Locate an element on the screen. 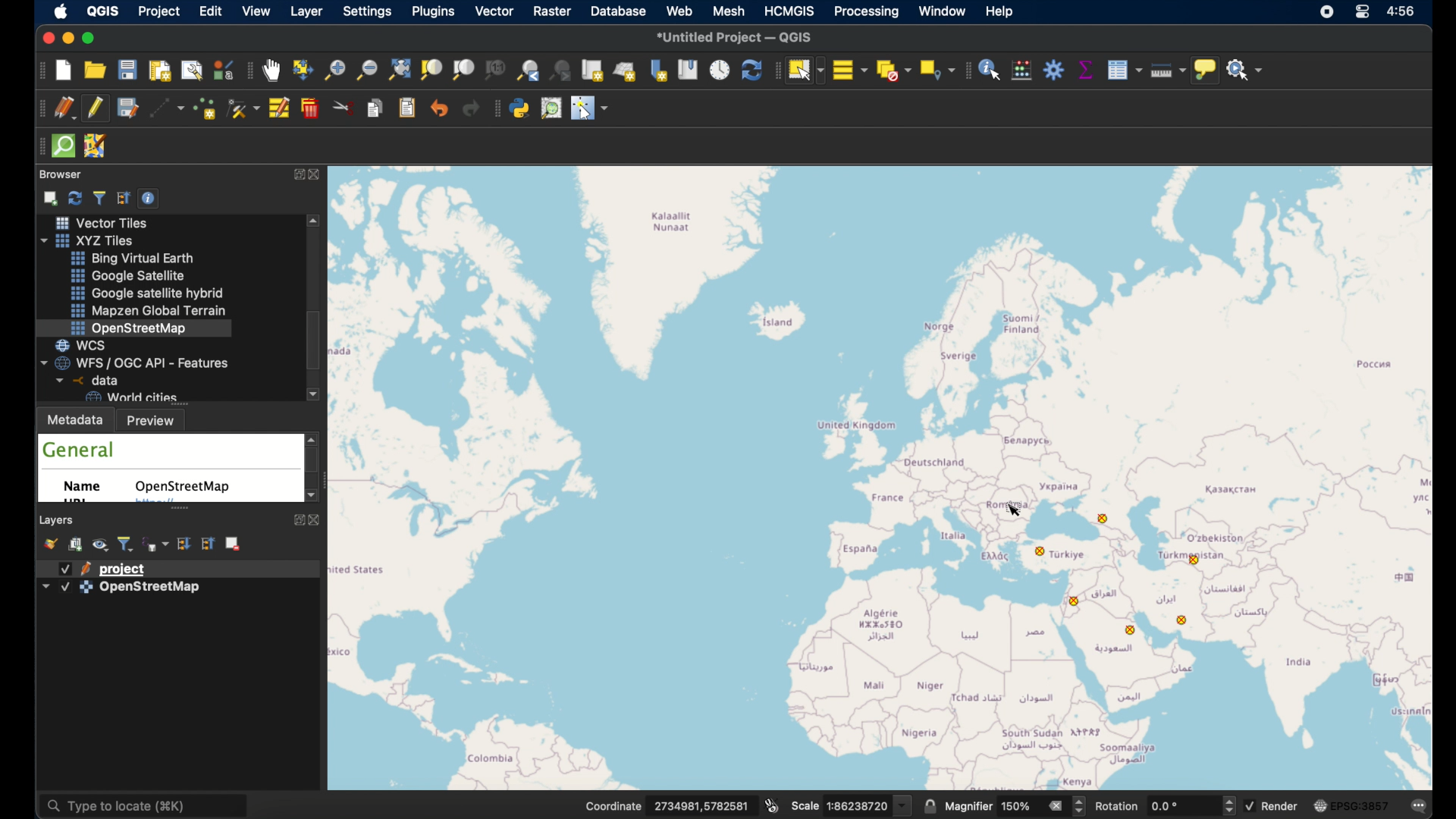 Image resolution: width=1456 pixels, height=819 pixels. select by location is located at coordinates (935, 70).